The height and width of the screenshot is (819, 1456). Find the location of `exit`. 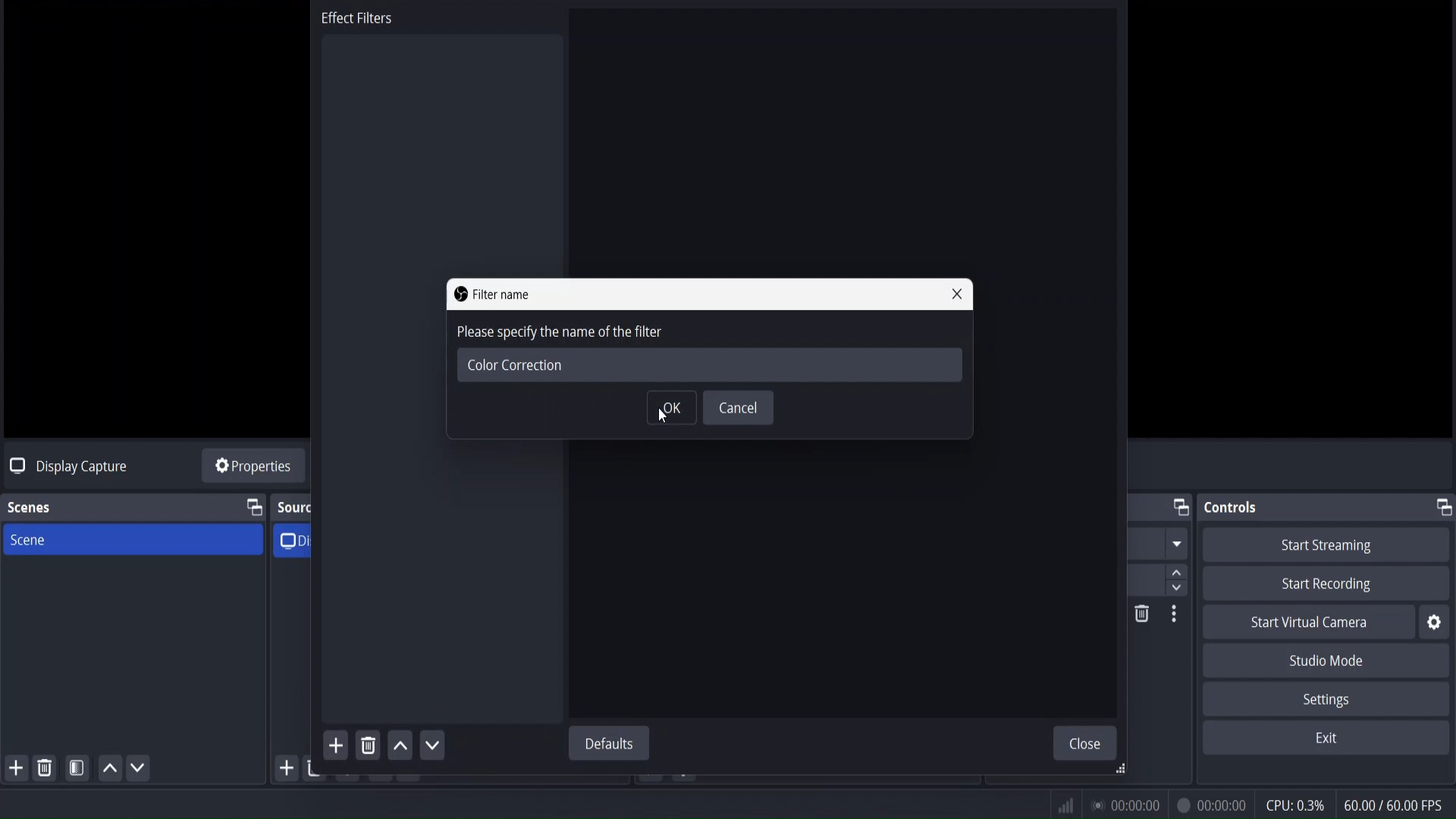

exit is located at coordinates (1326, 739).